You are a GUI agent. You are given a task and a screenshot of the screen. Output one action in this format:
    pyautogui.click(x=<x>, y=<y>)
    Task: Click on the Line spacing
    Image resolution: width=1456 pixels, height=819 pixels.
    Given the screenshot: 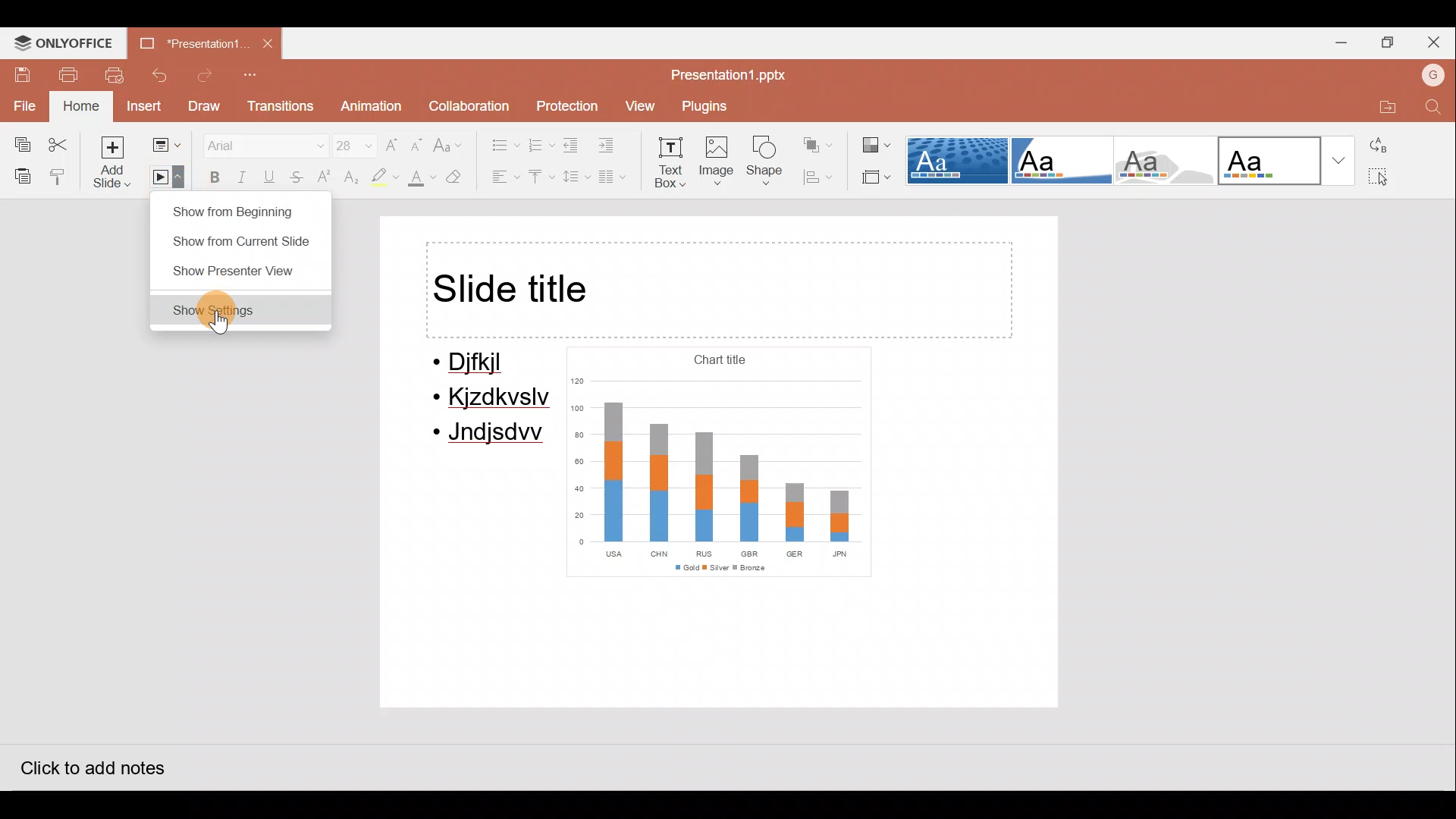 What is the action you would take?
    pyautogui.click(x=573, y=177)
    